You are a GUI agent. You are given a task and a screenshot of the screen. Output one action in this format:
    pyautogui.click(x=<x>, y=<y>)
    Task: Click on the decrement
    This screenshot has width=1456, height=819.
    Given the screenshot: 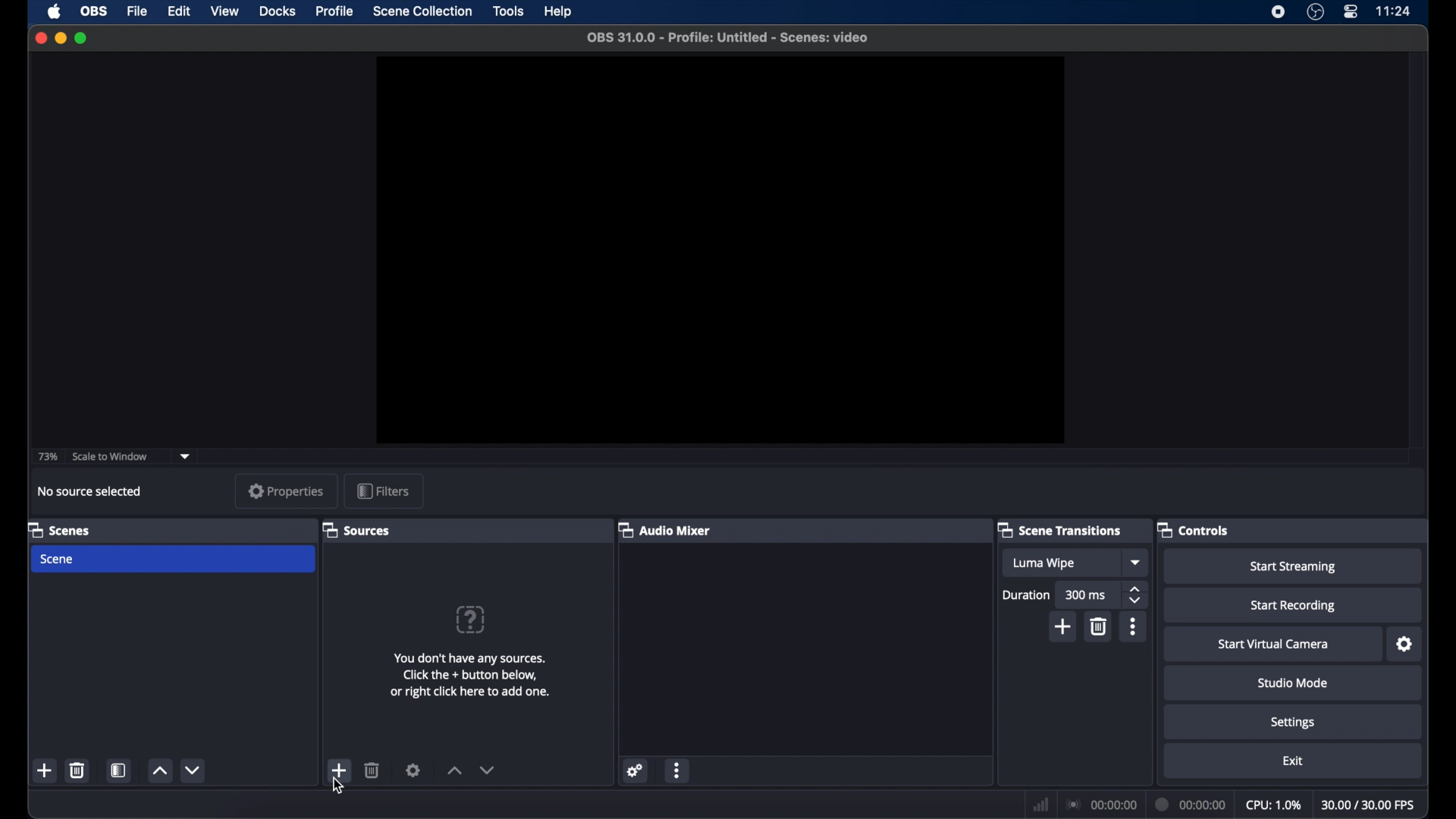 What is the action you would take?
    pyautogui.click(x=194, y=770)
    